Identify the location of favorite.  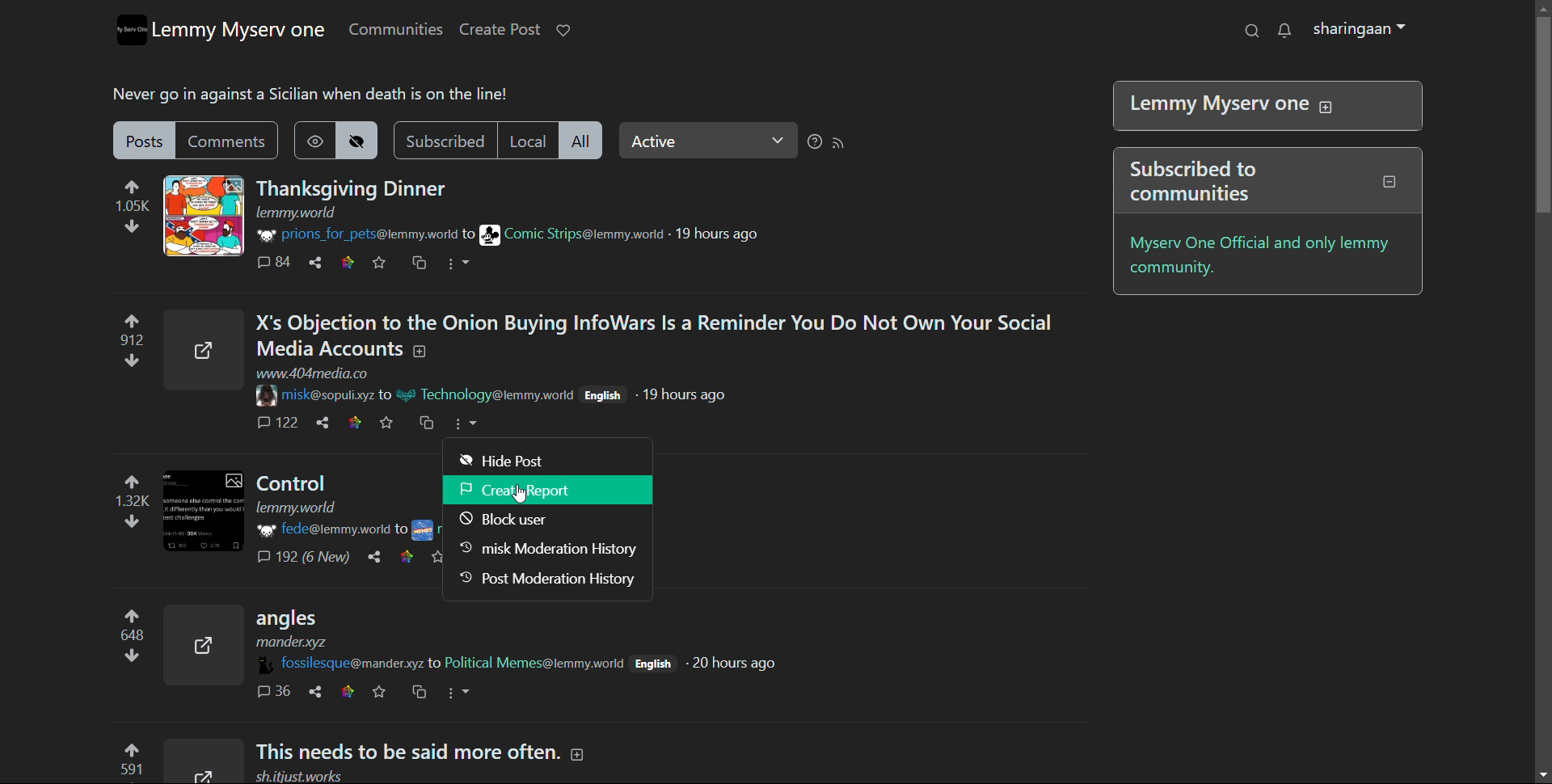
(379, 263).